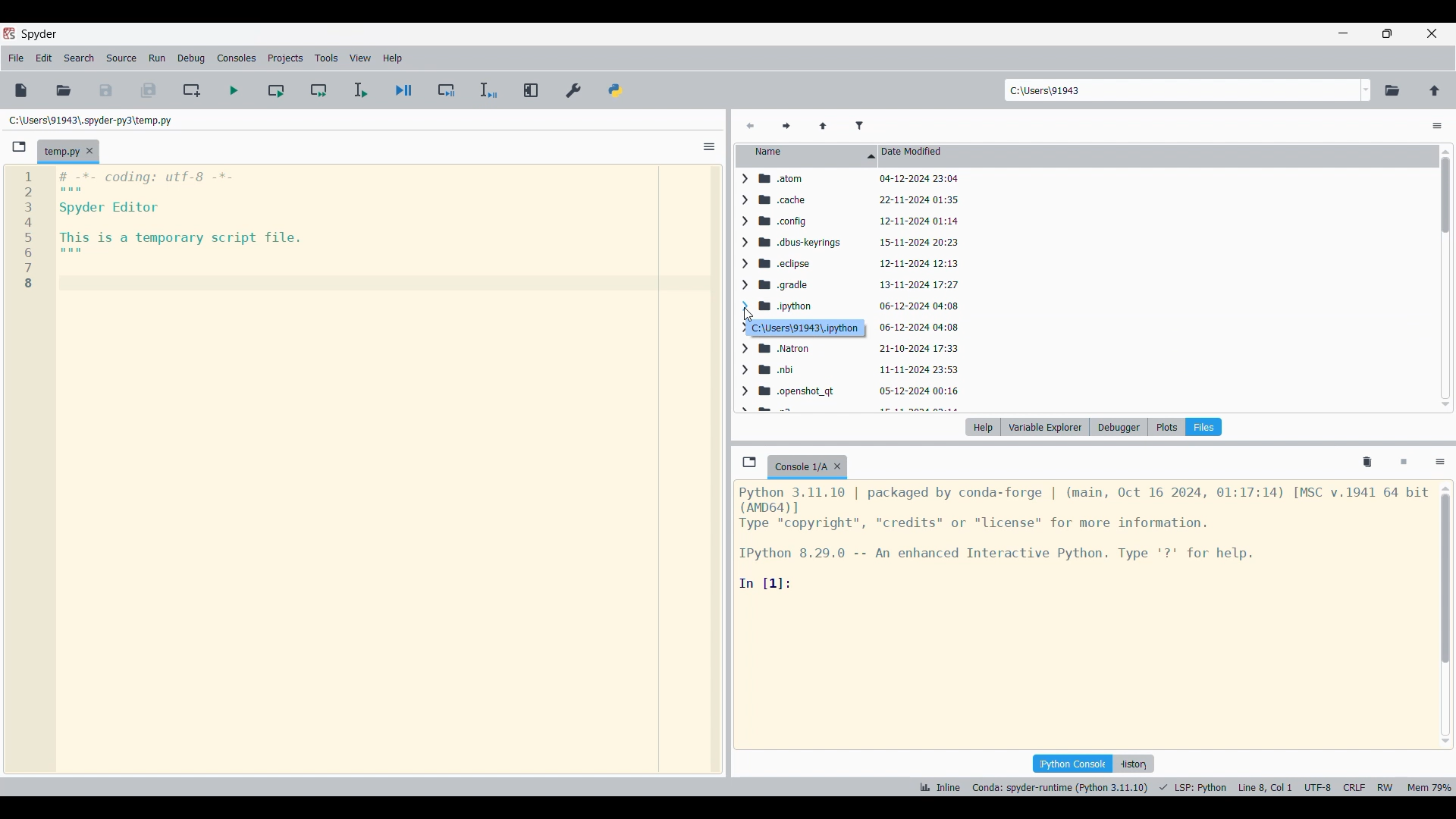 Image resolution: width=1456 pixels, height=819 pixels. I want to click on Options, so click(710, 146).